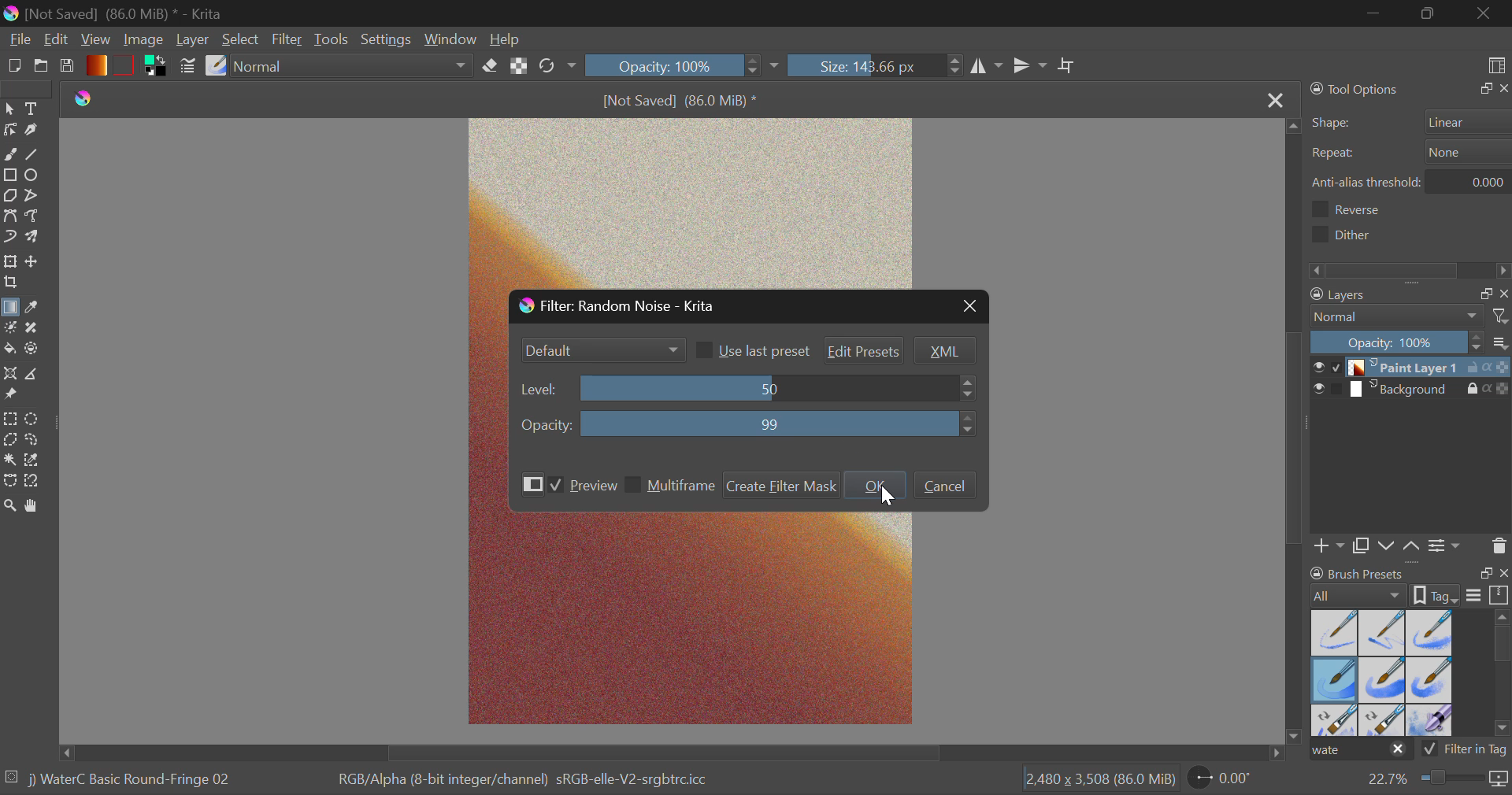  Describe the element at coordinates (450, 36) in the screenshot. I see `Window` at that location.